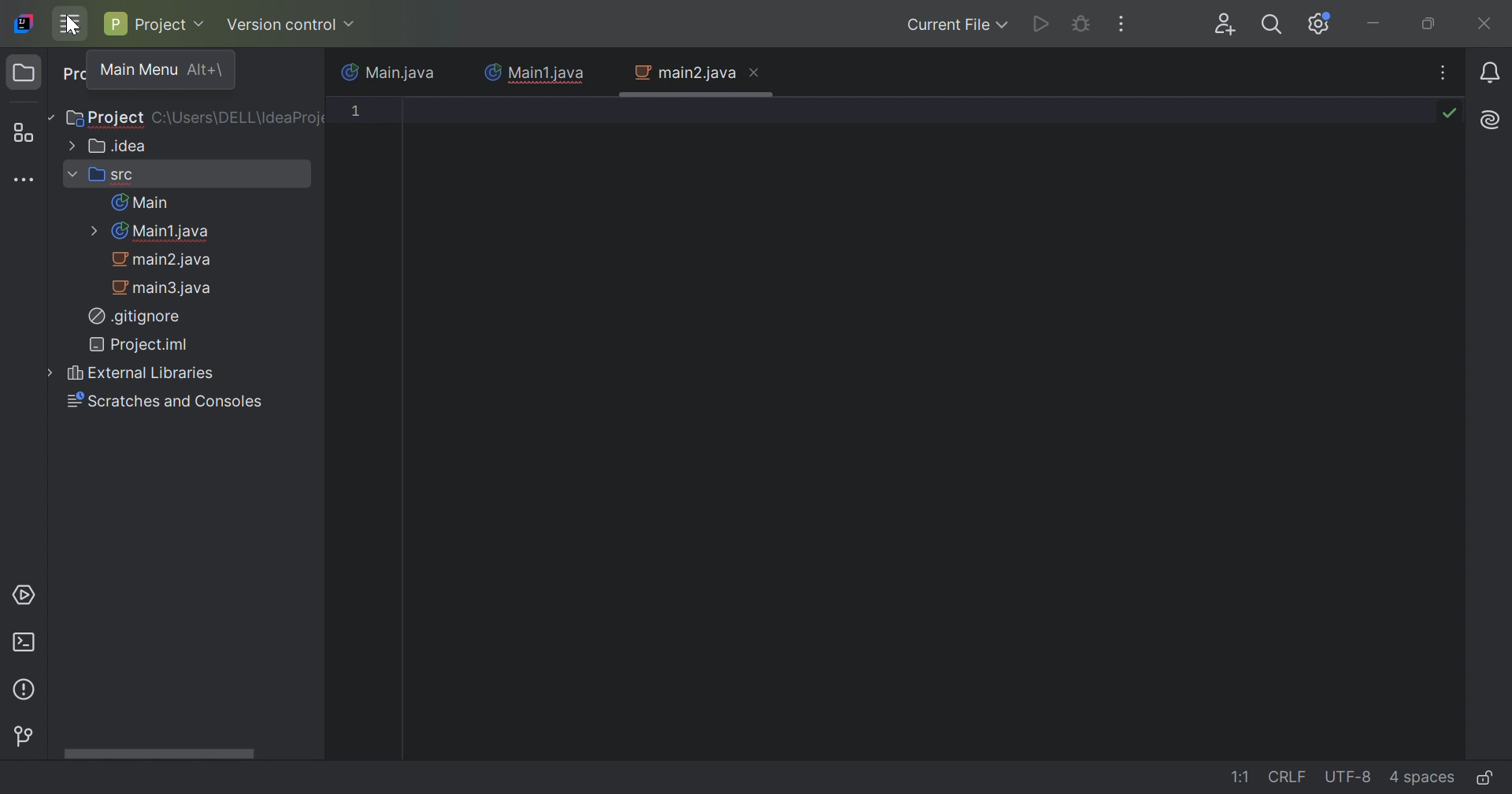  Describe the element at coordinates (27, 737) in the screenshot. I see `Version control` at that location.